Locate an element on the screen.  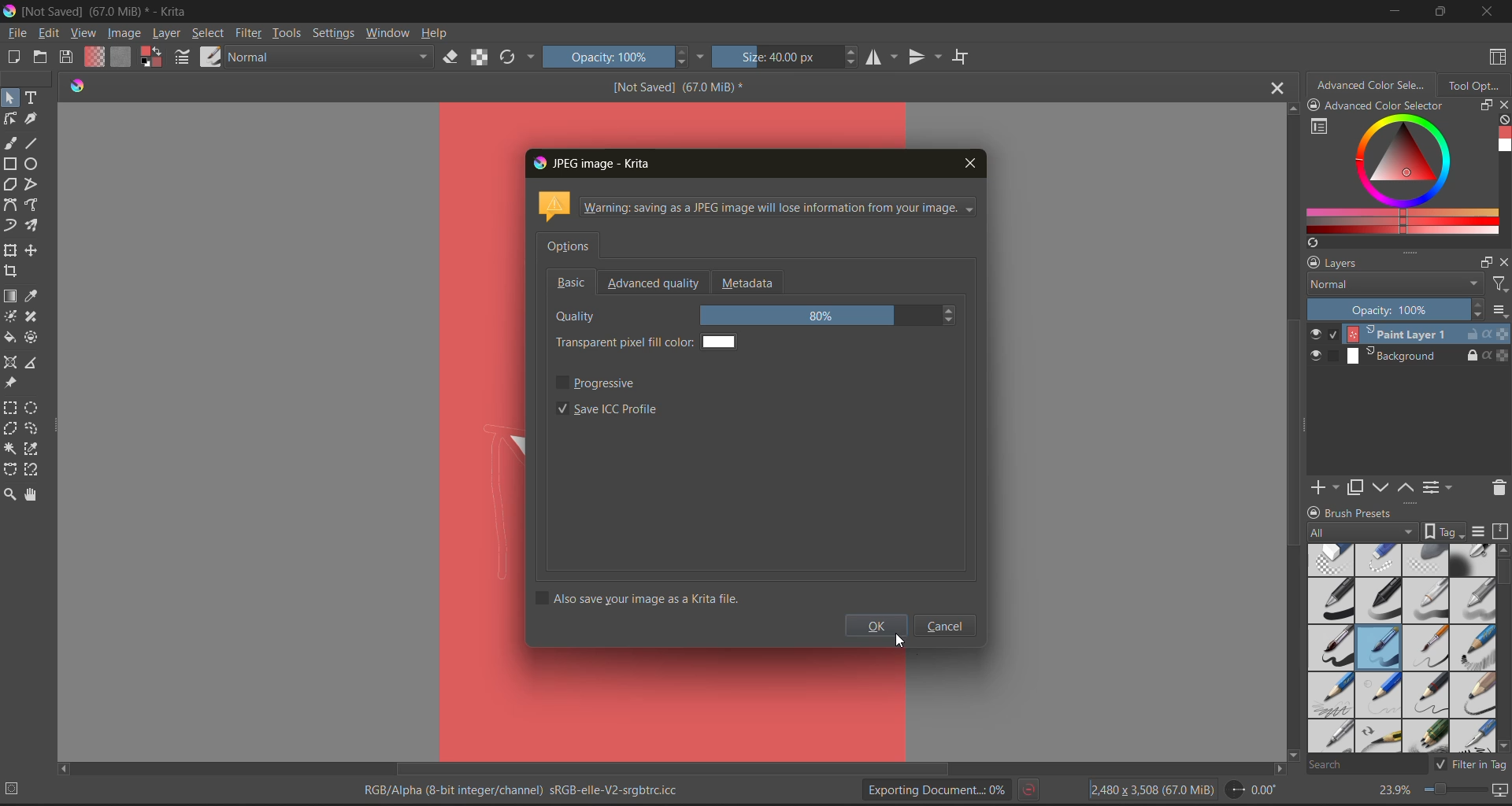
Image is located at coordinates (718, 124).